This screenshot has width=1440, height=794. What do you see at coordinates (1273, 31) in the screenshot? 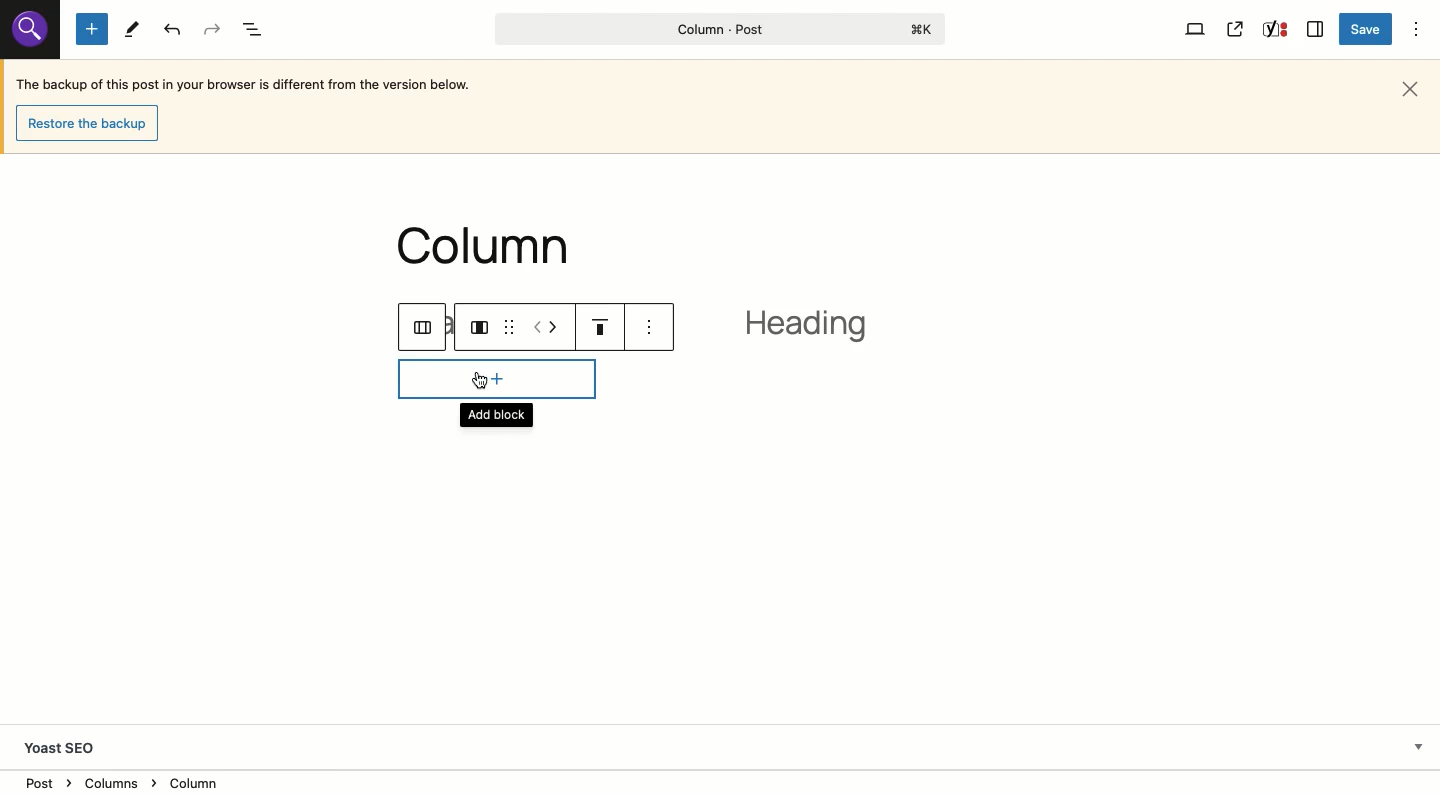
I see `Yoast` at bounding box center [1273, 31].